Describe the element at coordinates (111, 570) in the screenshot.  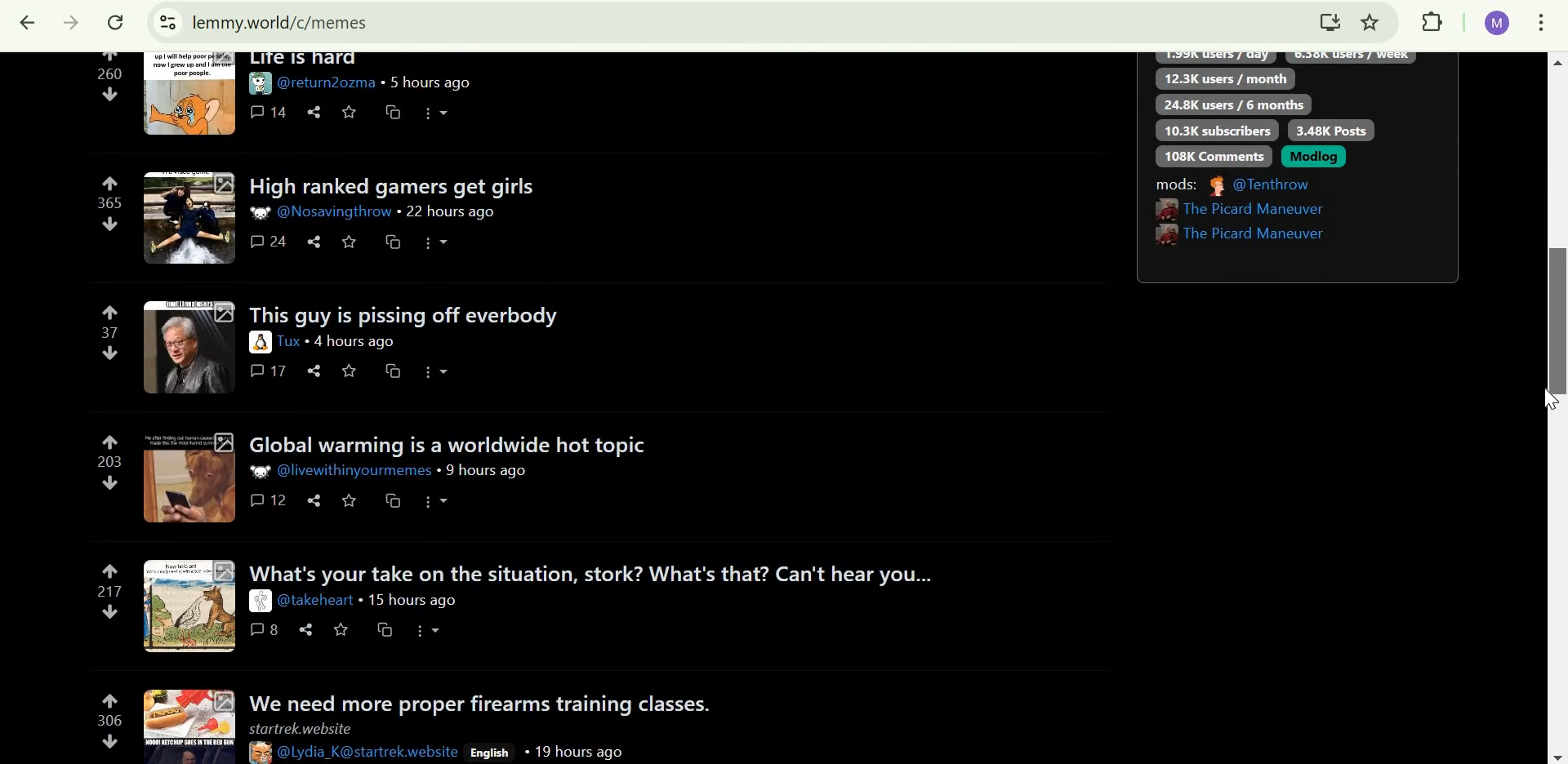
I see `upvote` at that location.